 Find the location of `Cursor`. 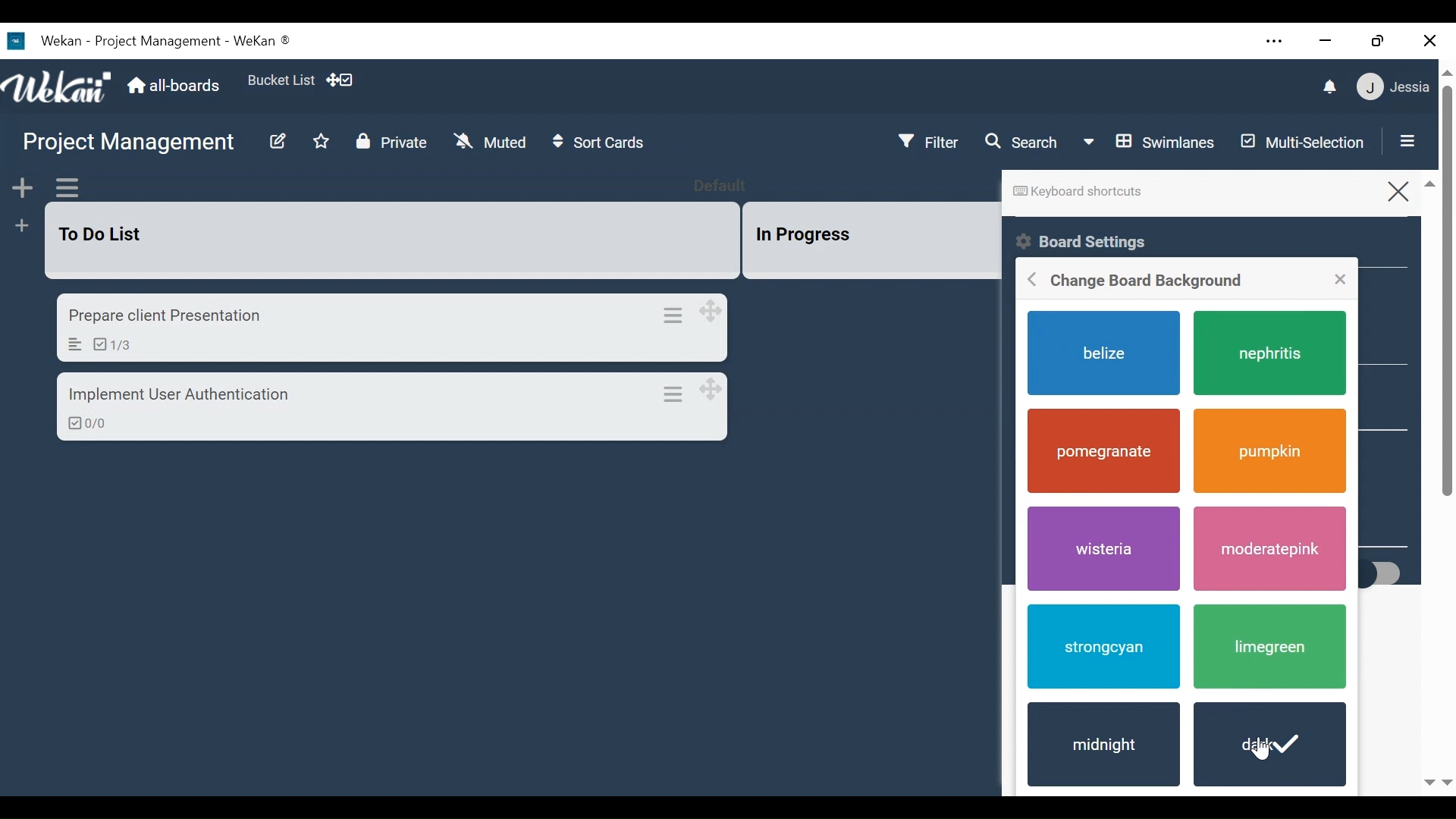

Cursor is located at coordinates (1268, 748).